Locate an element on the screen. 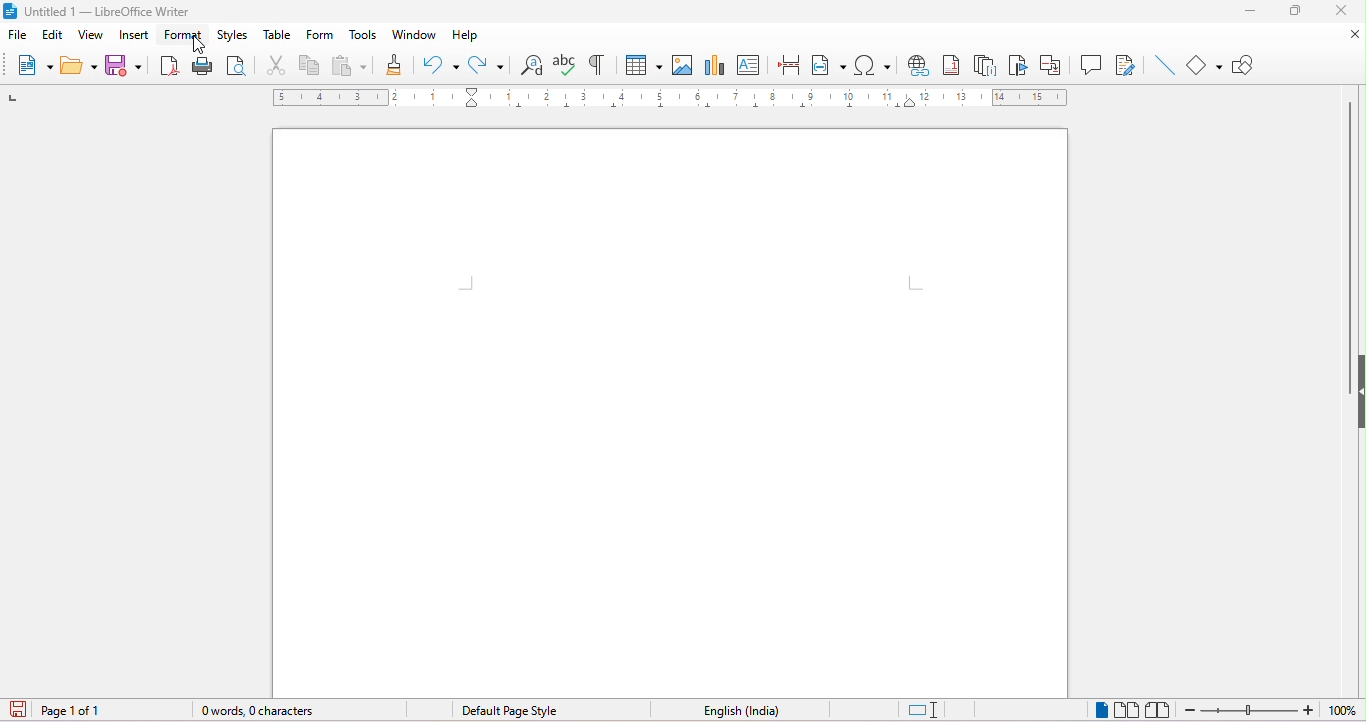 The width and height of the screenshot is (1366, 722). toggle formatting marks is located at coordinates (596, 63).